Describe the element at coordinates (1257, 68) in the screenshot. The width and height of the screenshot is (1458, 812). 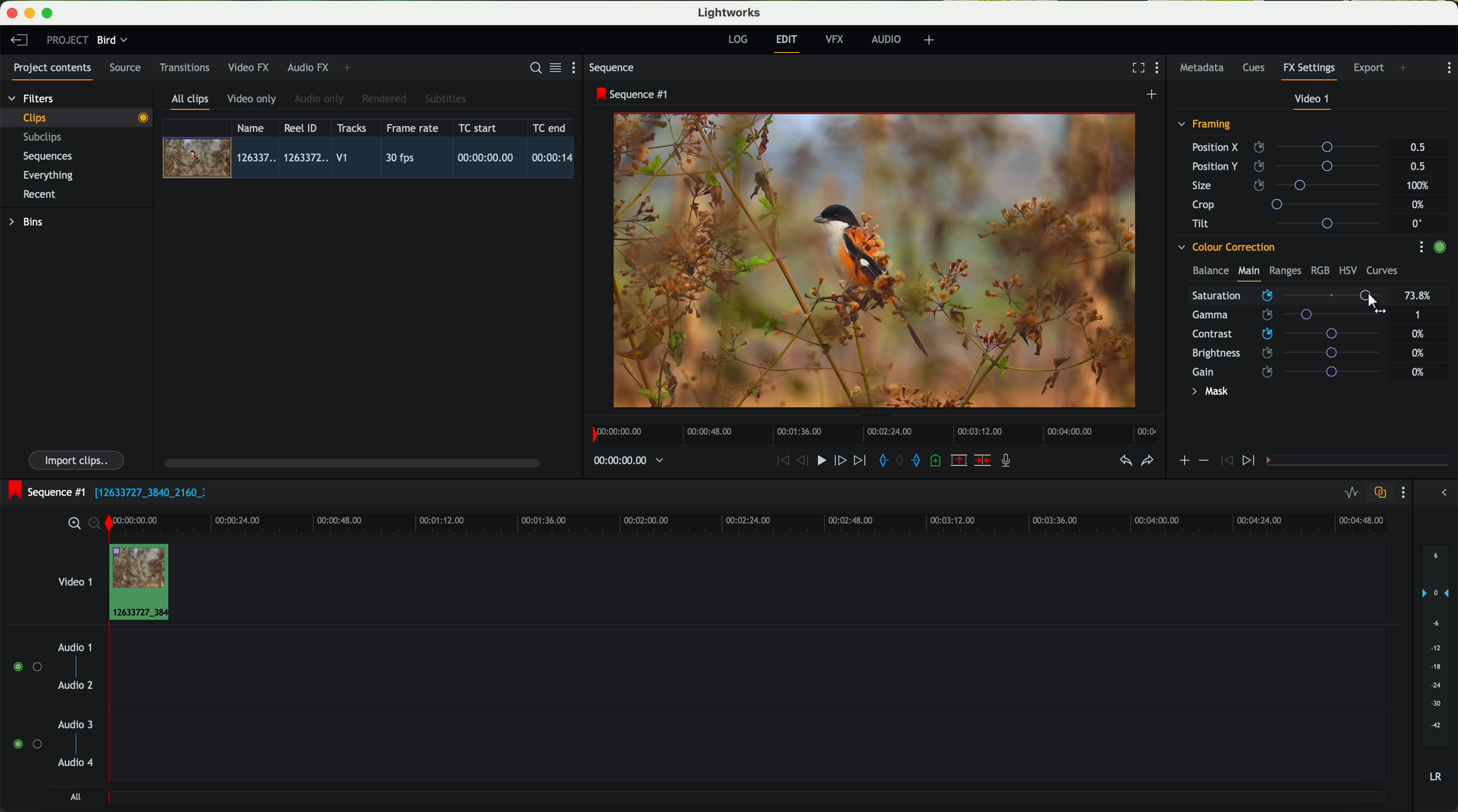
I see `cues` at that location.